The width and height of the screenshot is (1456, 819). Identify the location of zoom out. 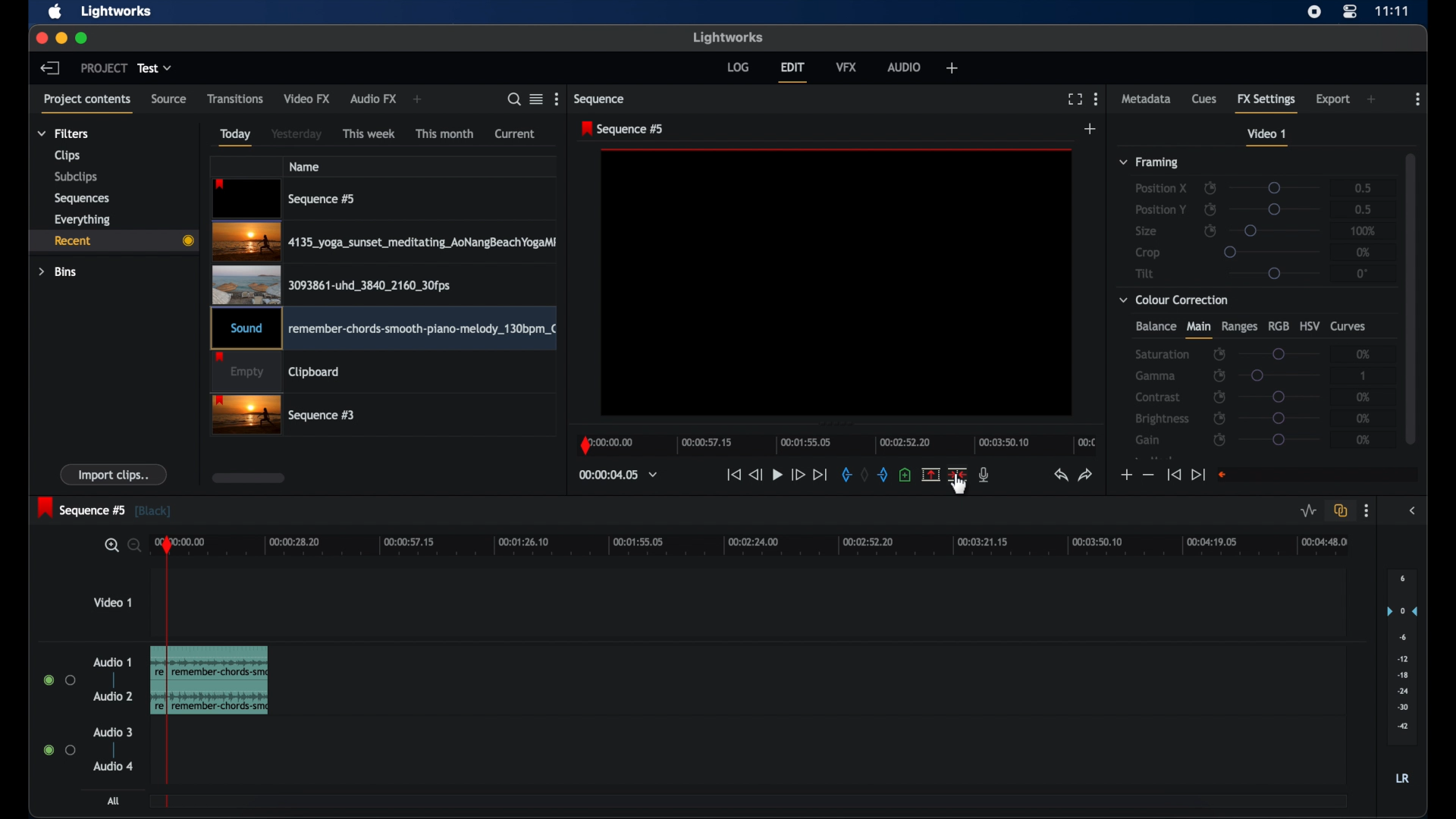
(132, 547).